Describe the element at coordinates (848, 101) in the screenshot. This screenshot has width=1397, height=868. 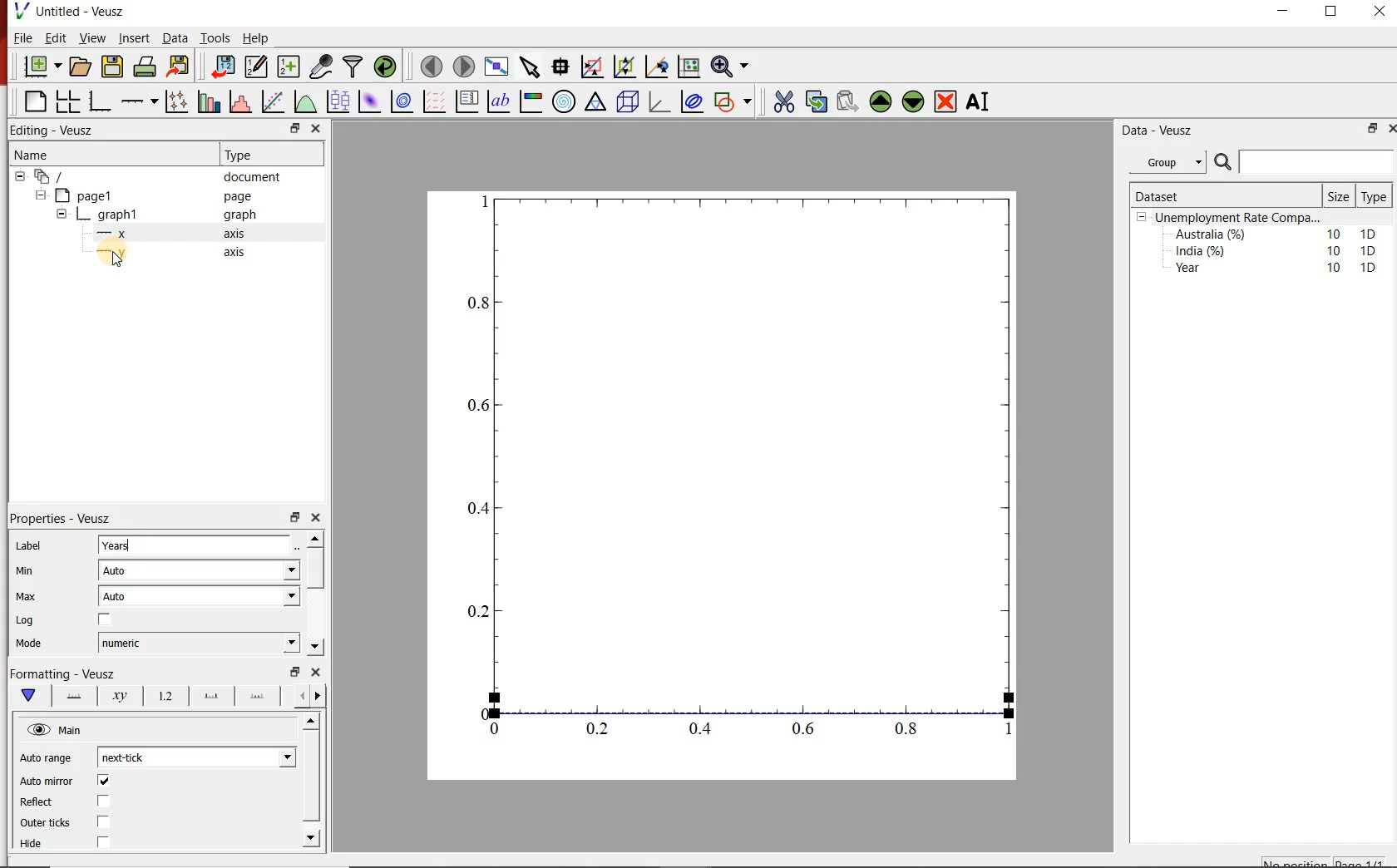
I see `paste the widgets` at that location.